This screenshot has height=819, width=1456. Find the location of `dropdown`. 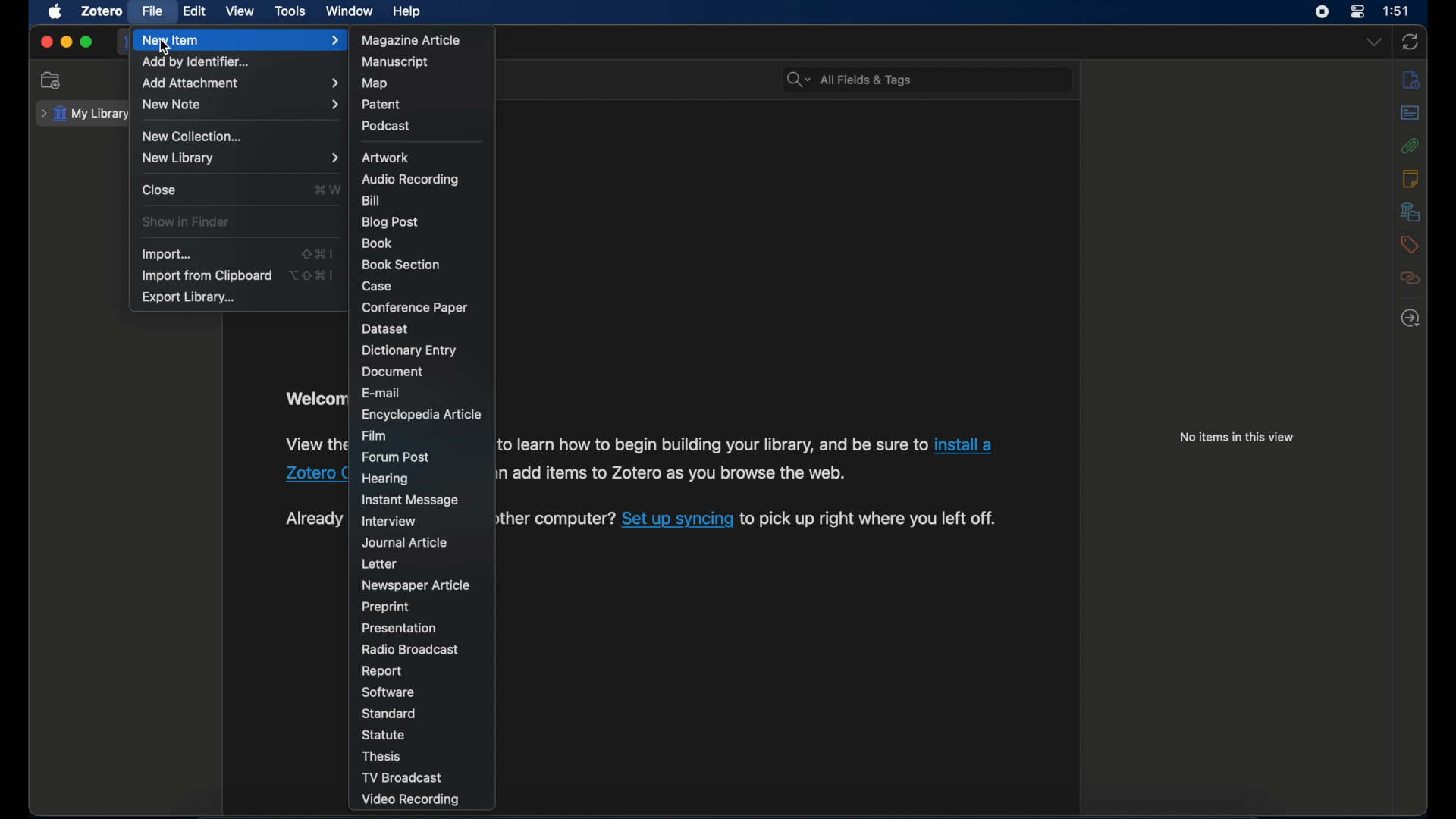

dropdown is located at coordinates (1373, 41).